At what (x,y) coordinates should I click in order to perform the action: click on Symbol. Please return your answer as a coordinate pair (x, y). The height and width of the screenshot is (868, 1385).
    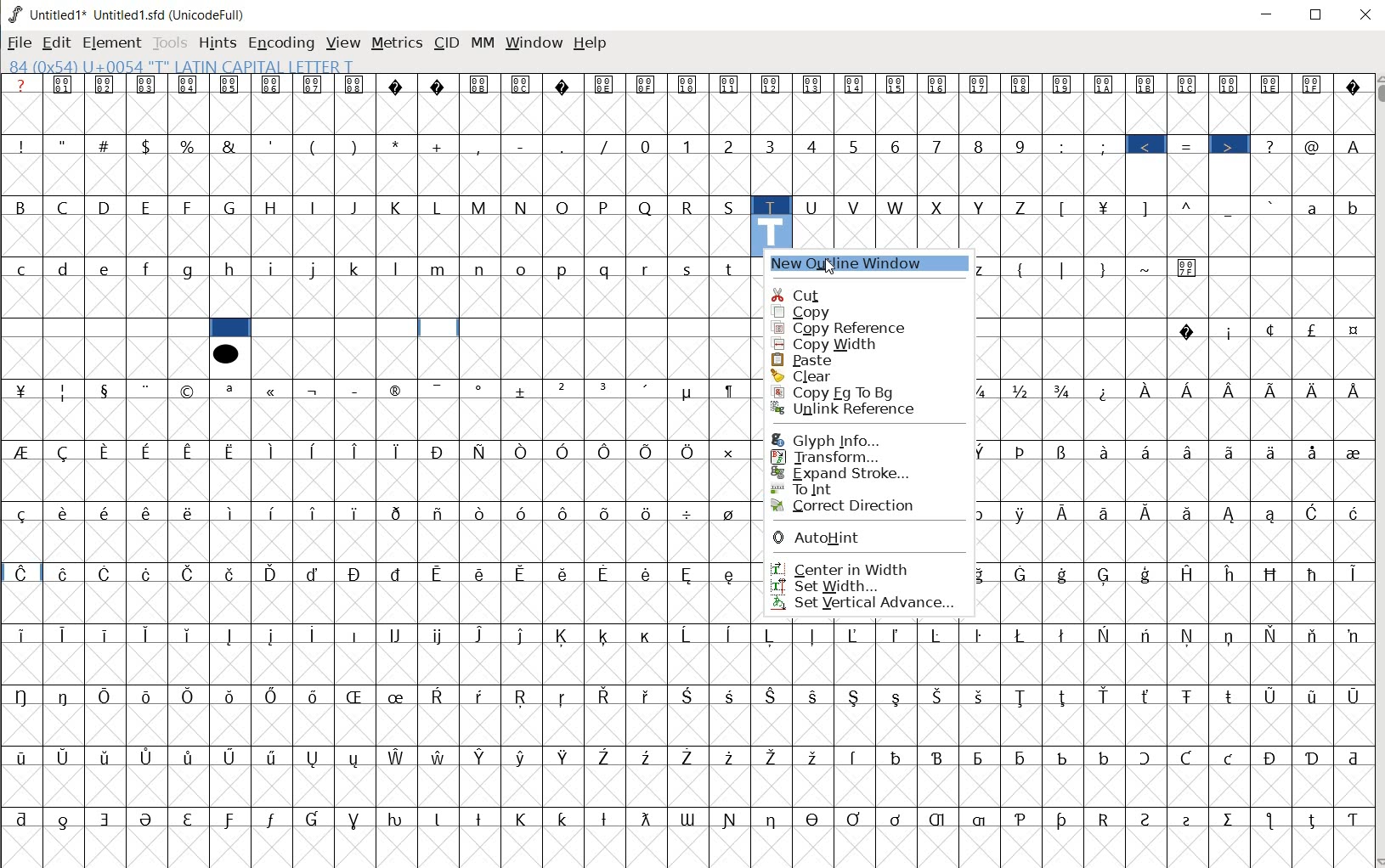
    Looking at the image, I should click on (1149, 511).